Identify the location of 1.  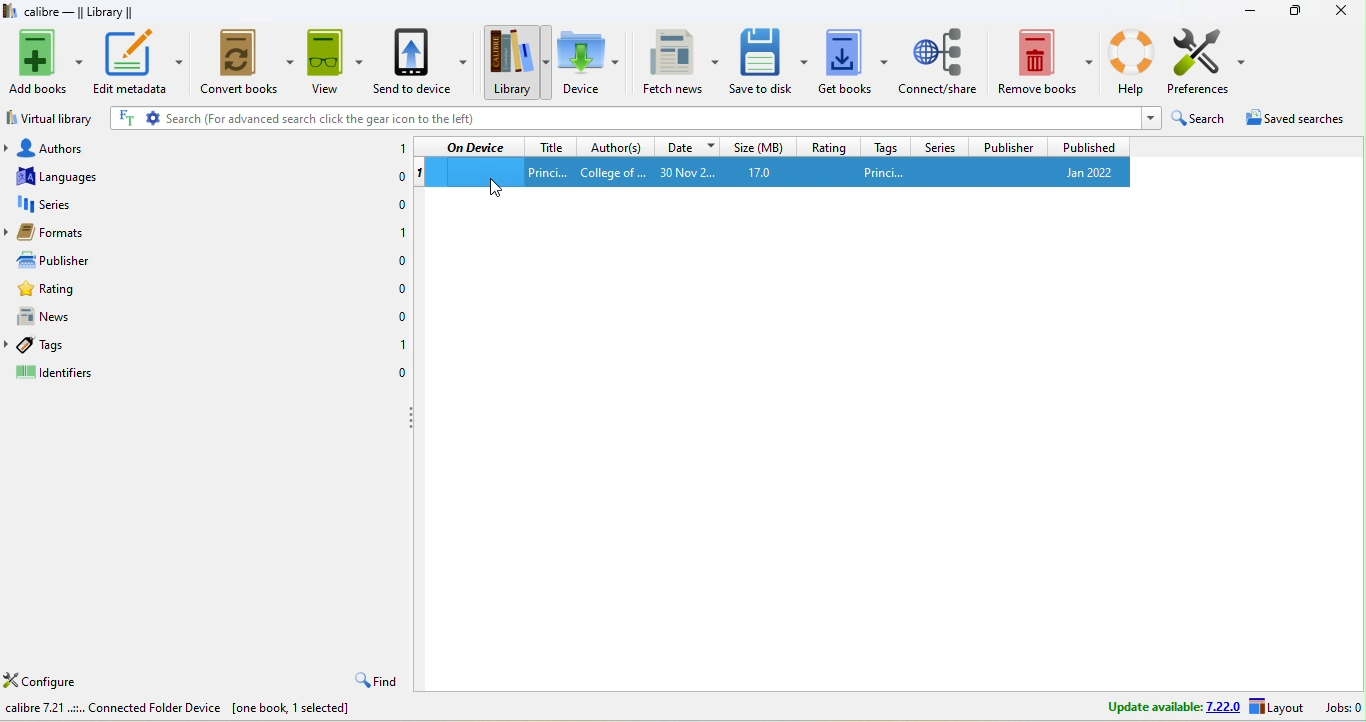
(401, 349).